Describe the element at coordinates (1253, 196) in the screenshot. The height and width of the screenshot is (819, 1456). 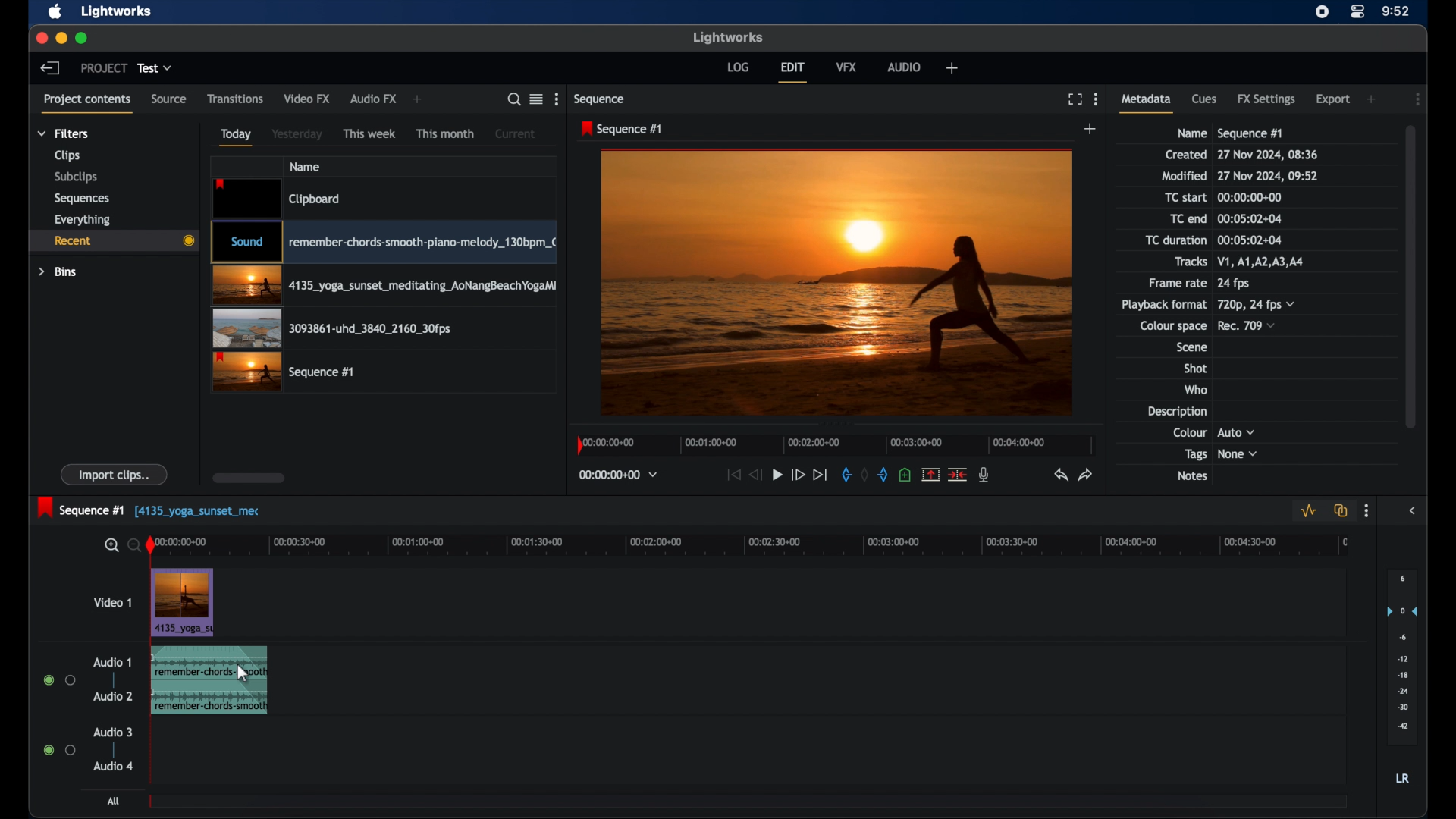
I see `tc start` at that location.